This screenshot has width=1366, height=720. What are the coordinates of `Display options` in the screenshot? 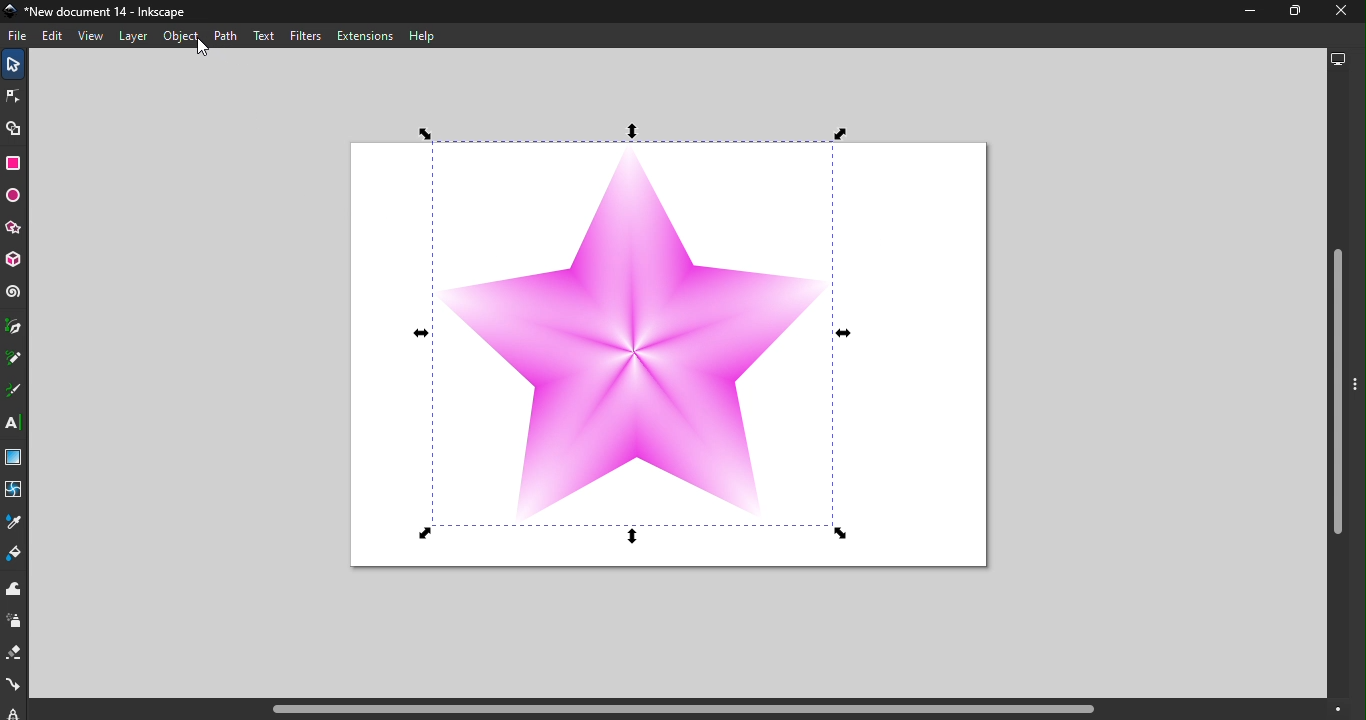 It's located at (1334, 58).